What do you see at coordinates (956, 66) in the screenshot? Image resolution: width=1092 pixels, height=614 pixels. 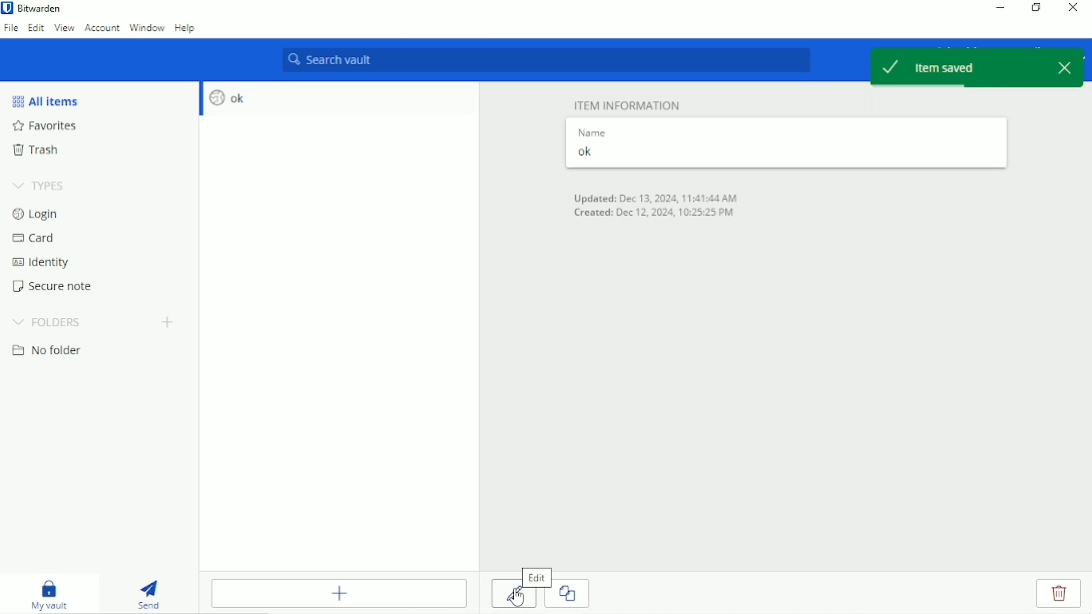 I see `Item saved` at bounding box center [956, 66].